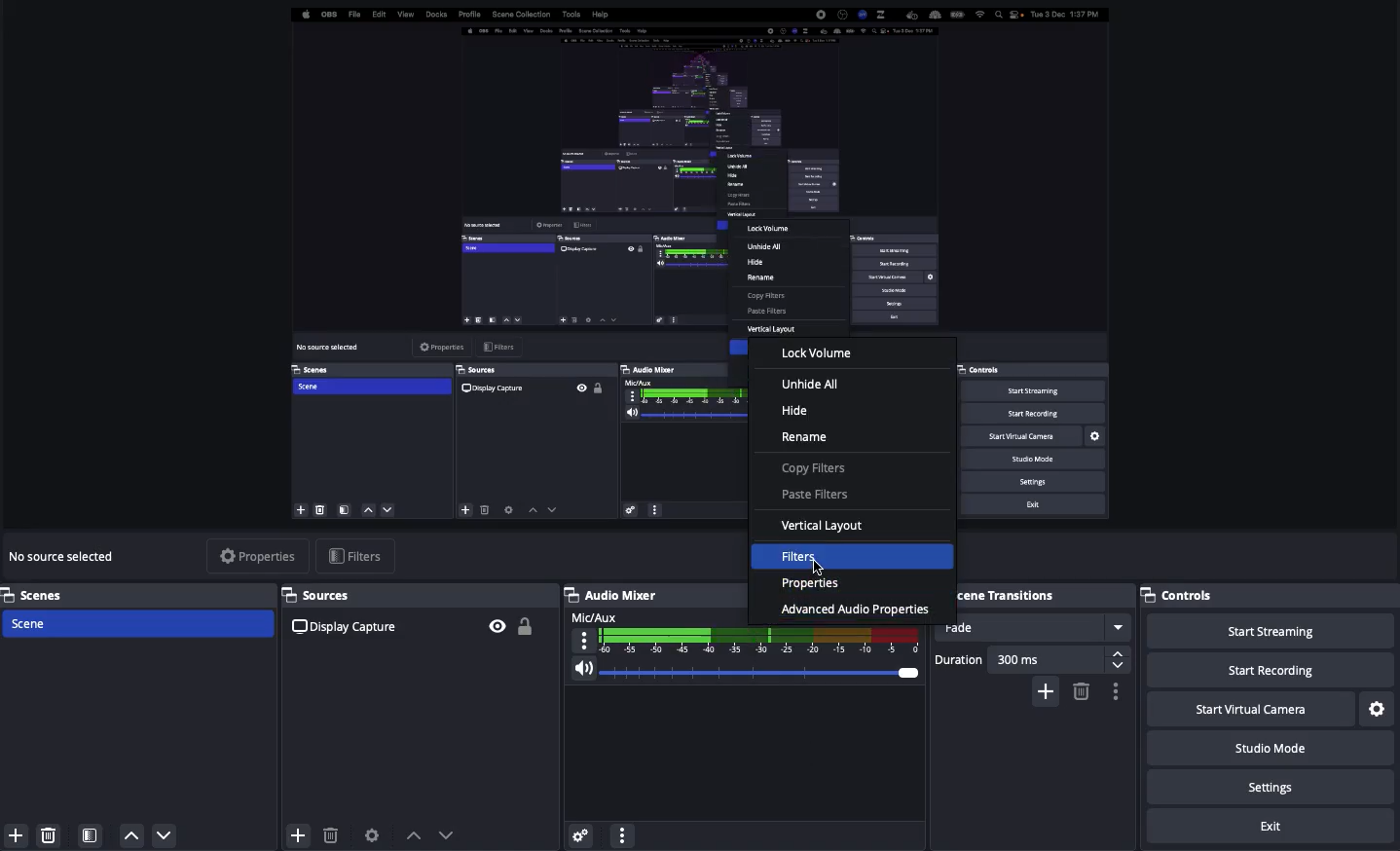  Describe the element at coordinates (820, 493) in the screenshot. I see `Paste filters` at that location.